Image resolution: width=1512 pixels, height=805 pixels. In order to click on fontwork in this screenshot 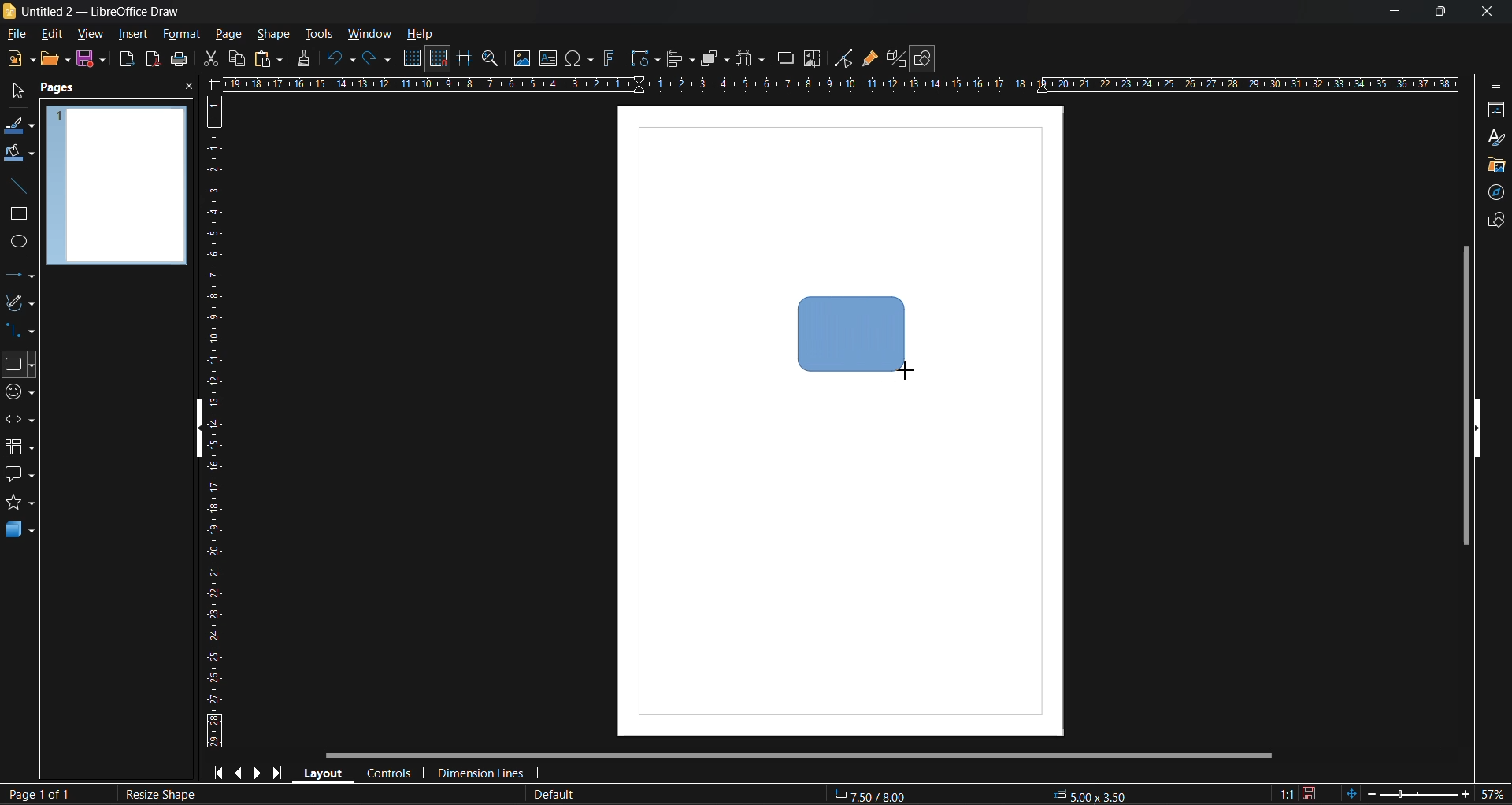, I will do `click(612, 57)`.